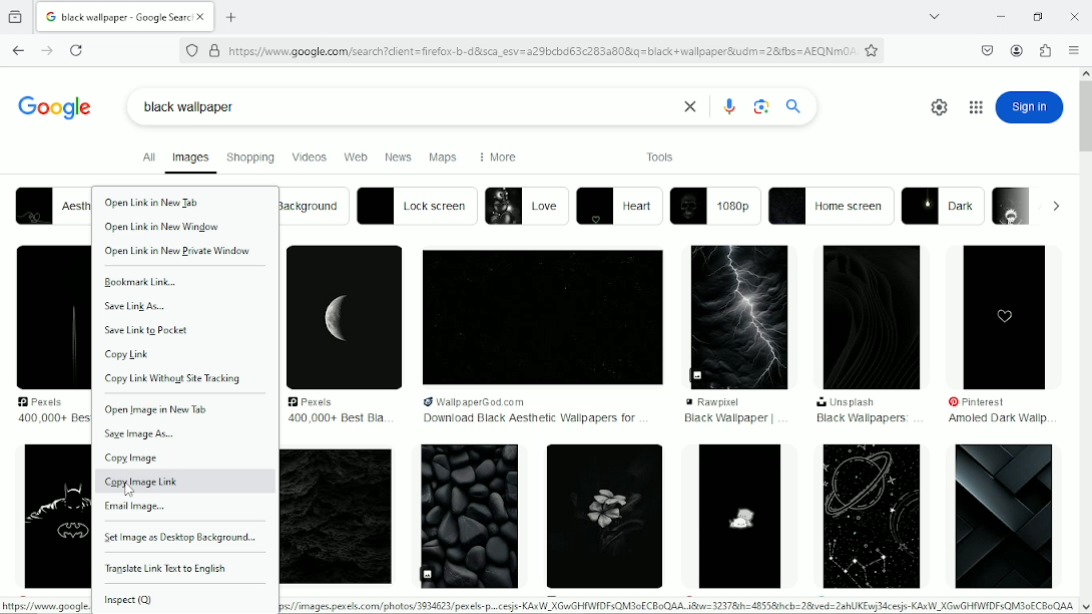 This screenshot has width=1092, height=614. I want to click on black wallpapers, so click(862, 419).